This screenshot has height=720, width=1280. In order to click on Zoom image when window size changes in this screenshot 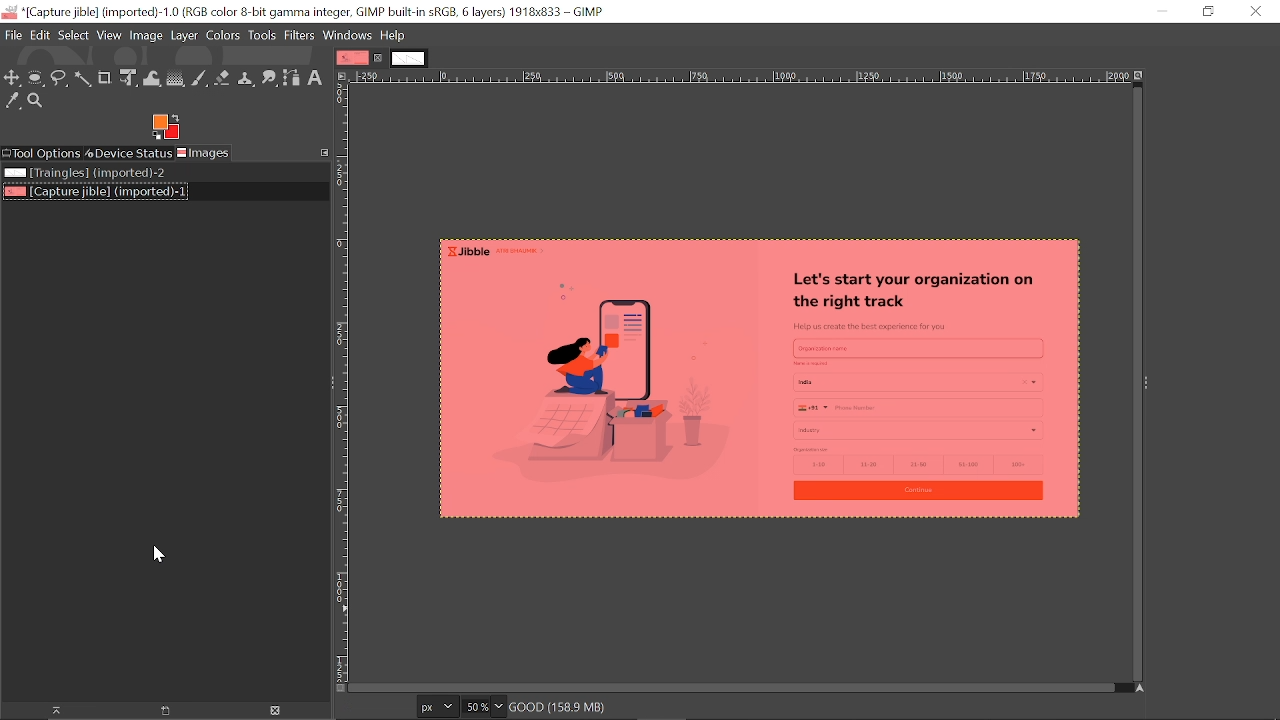, I will do `click(1140, 74)`.